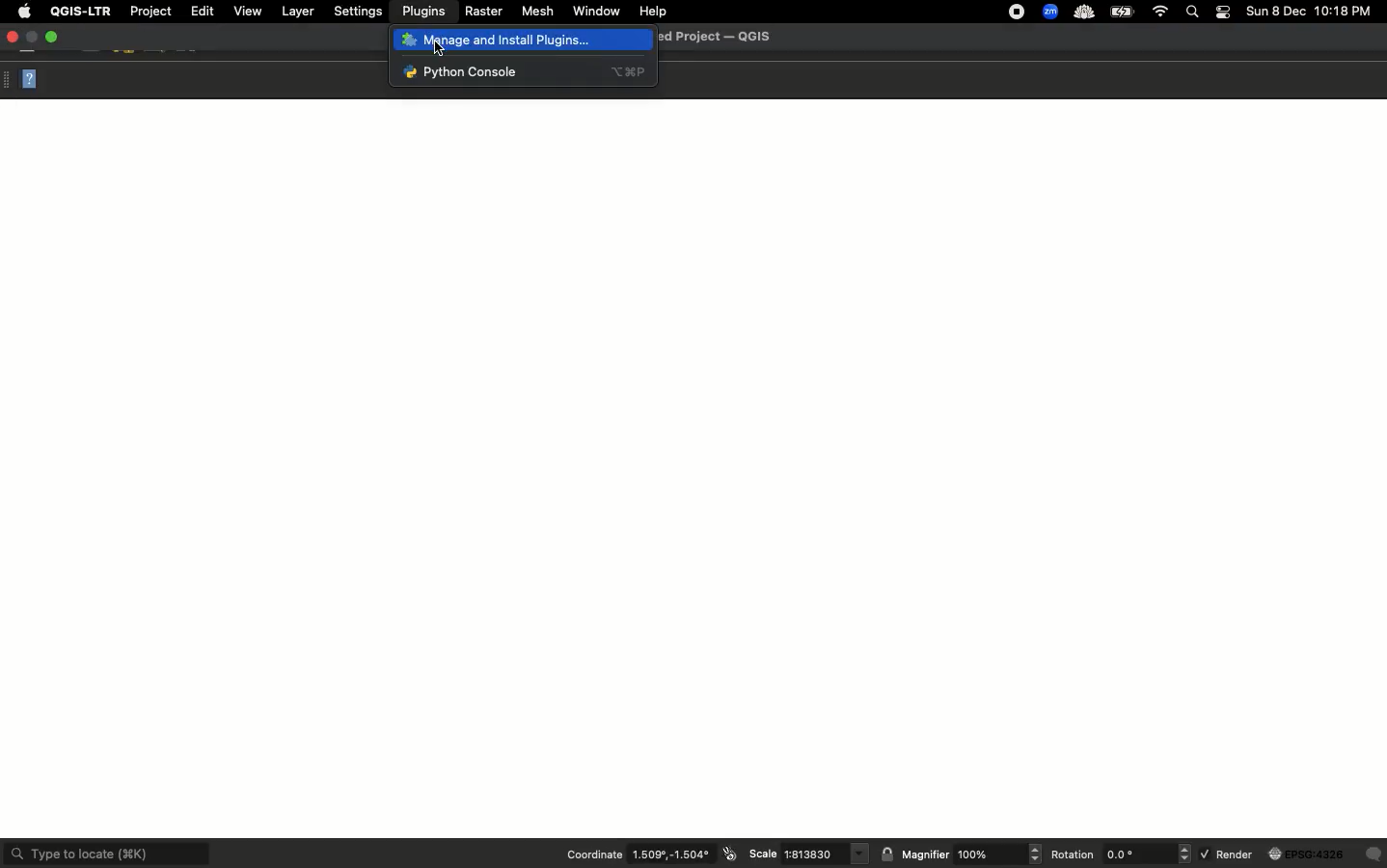 The width and height of the screenshot is (1387, 868). Describe the element at coordinates (423, 12) in the screenshot. I see `Plugins` at that location.